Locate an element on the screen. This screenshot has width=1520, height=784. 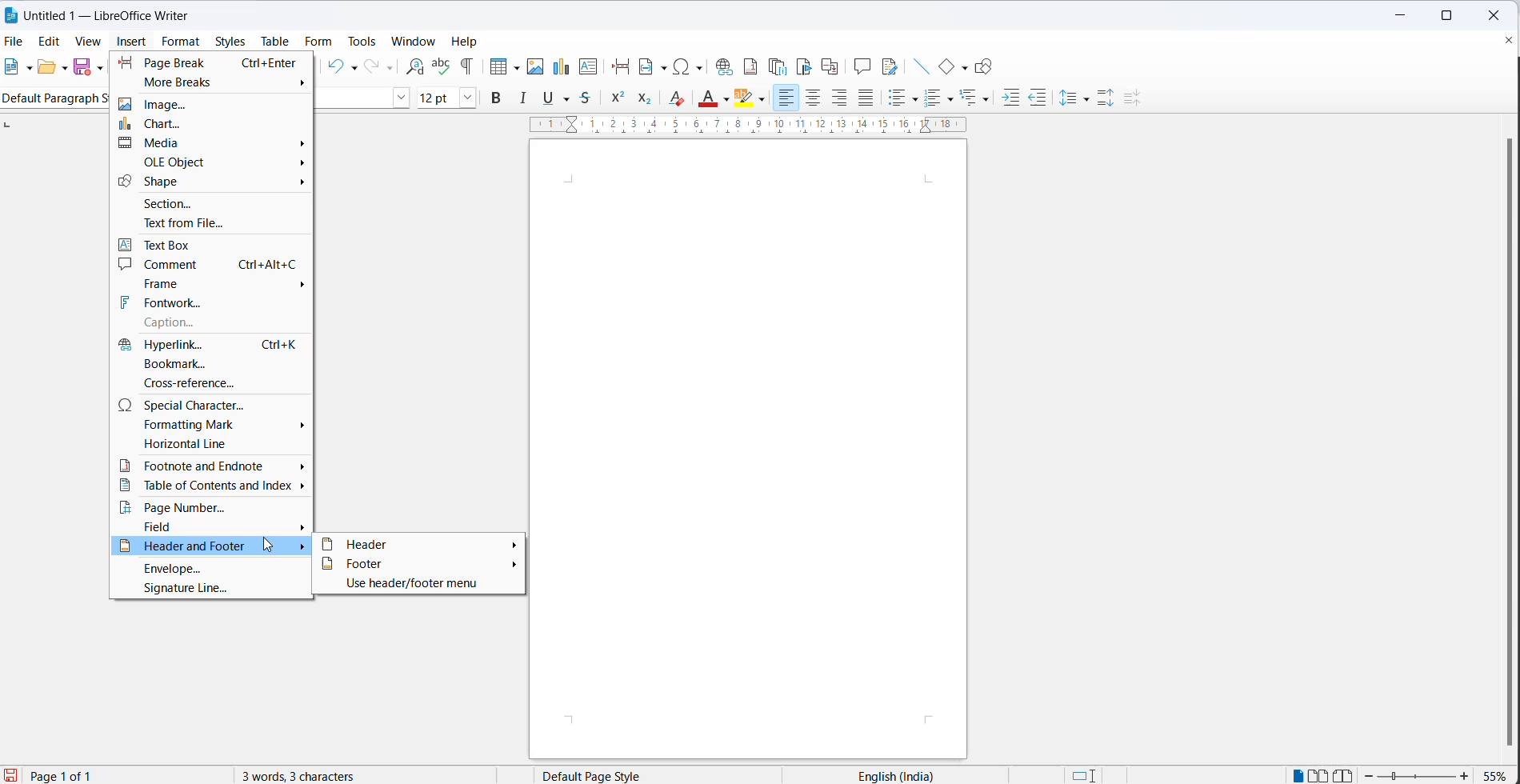
envelope  is located at coordinates (211, 568).